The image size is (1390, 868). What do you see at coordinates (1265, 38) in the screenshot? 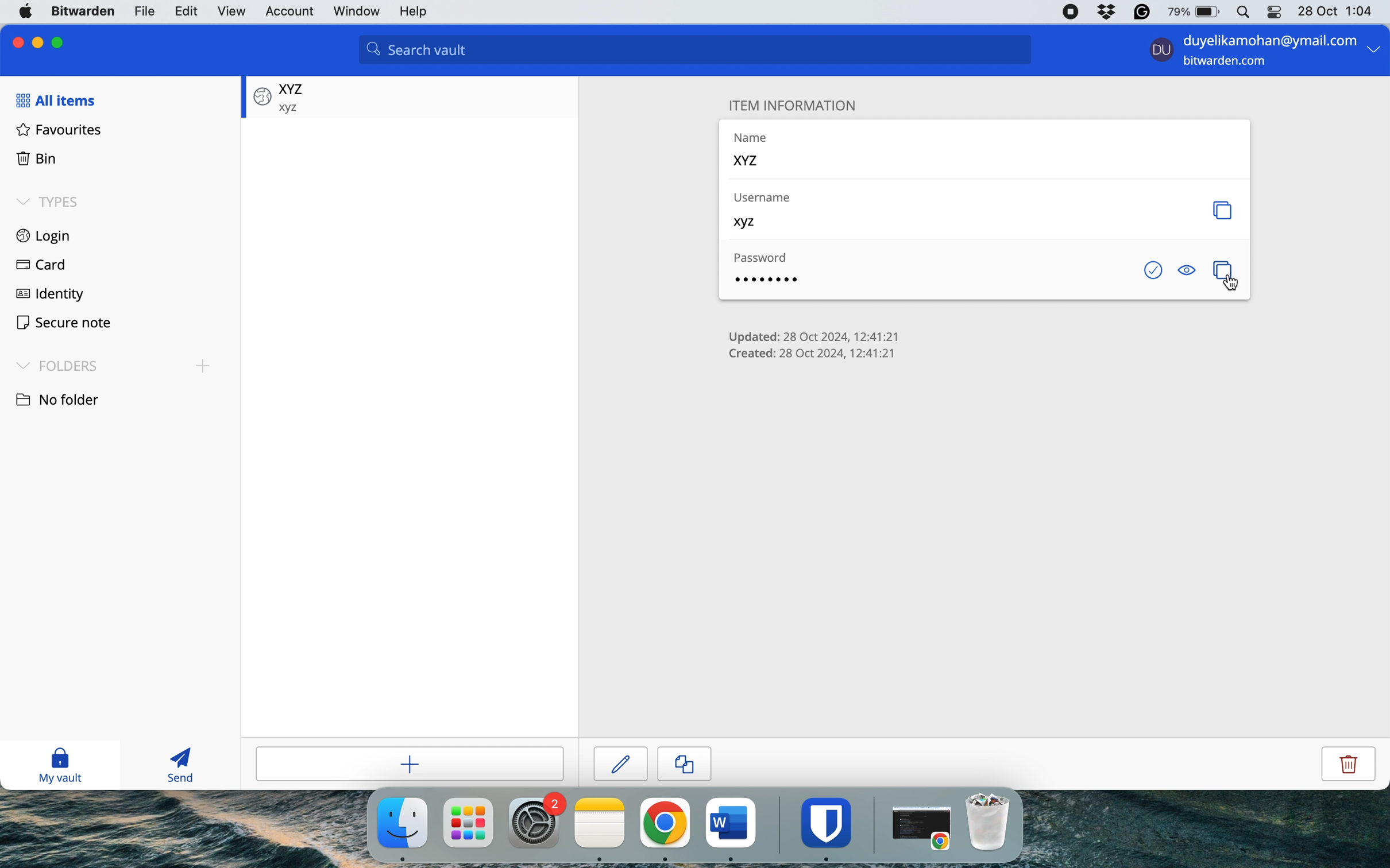
I see `login email id` at bounding box center [1265, 38].